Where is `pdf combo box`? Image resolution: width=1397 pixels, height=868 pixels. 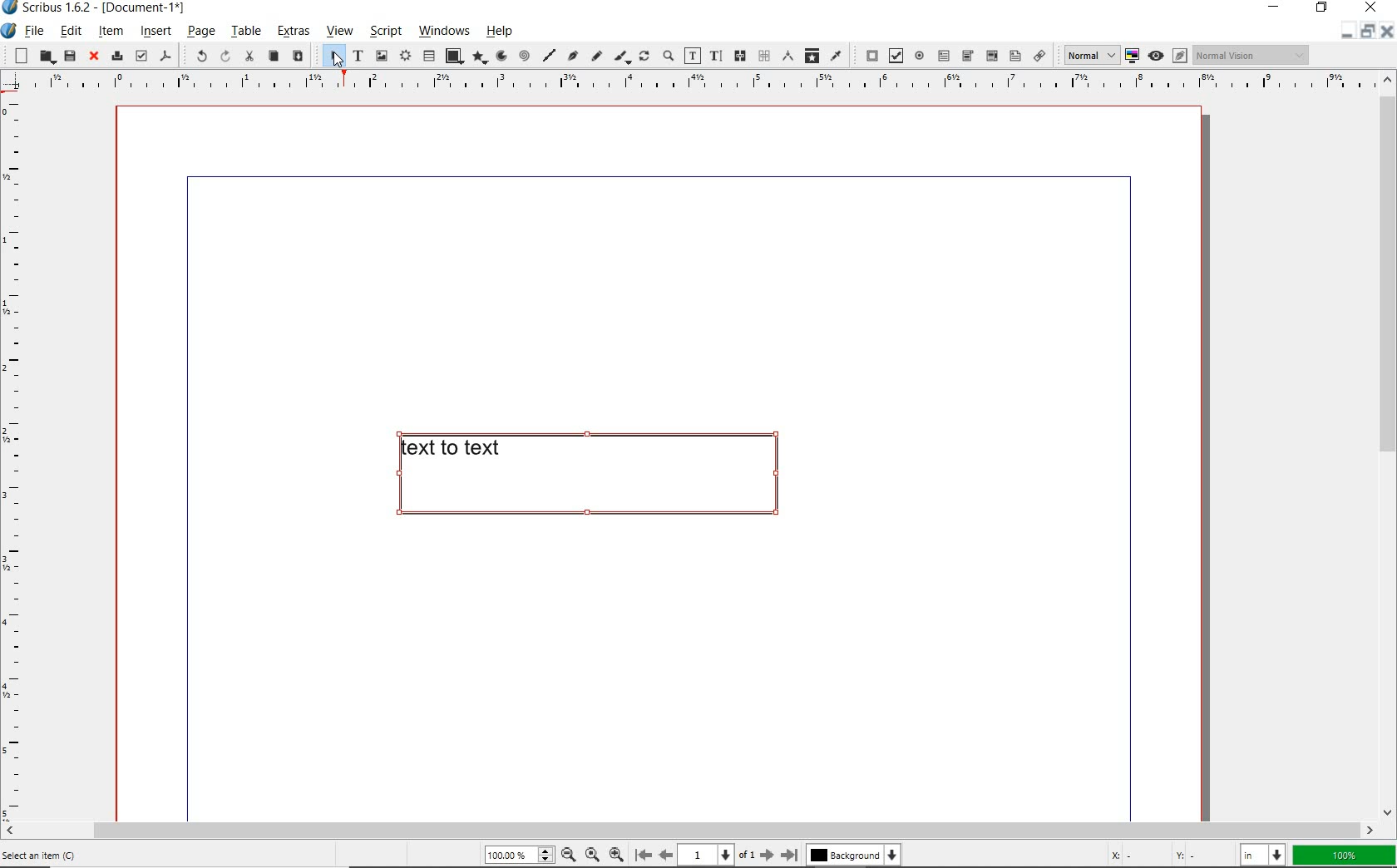
pdf combo box is located at coordinates (967, 56).